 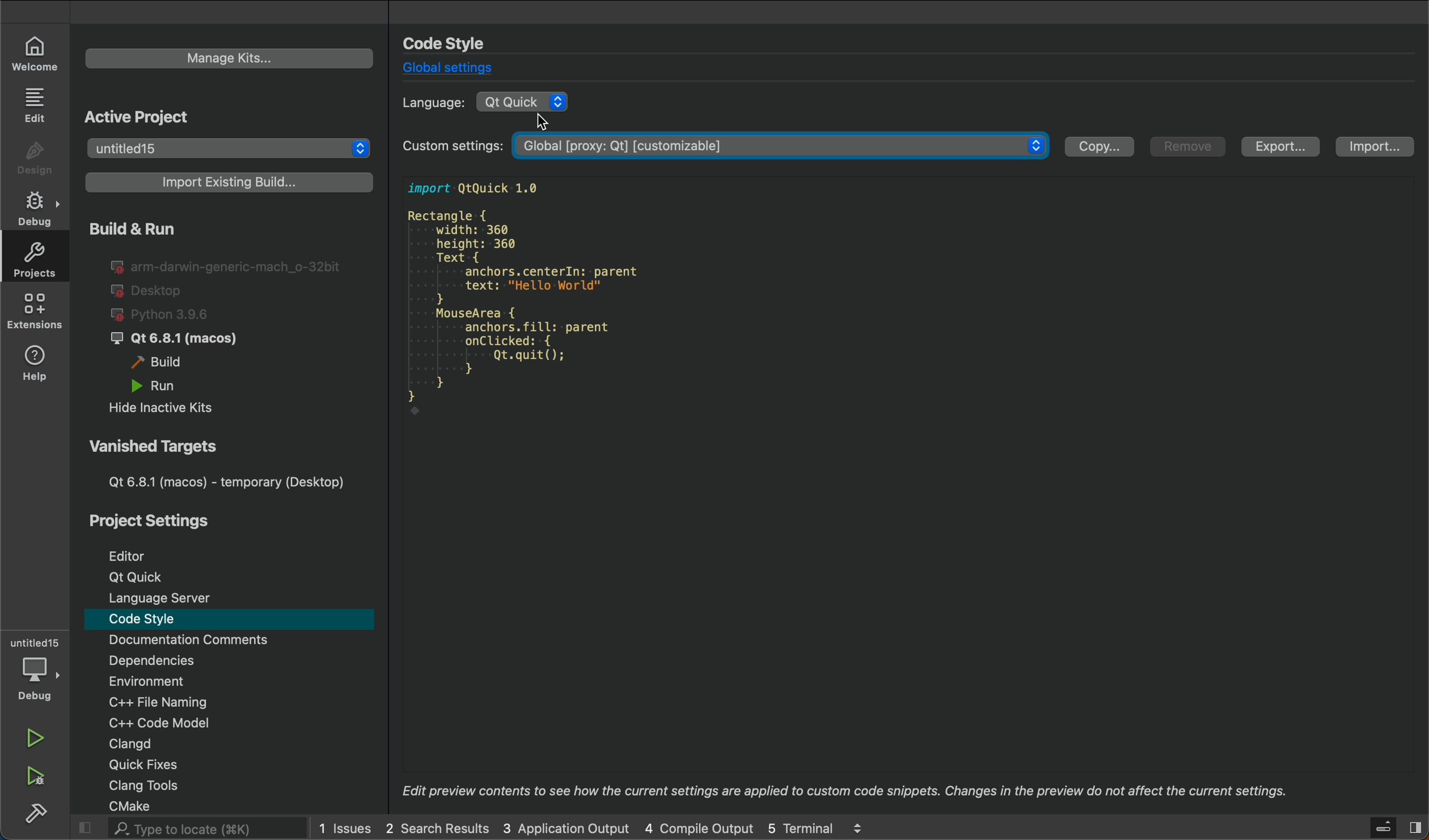 What do you see at coordinates (40, 53) in the screenshot?
I see `welcome` at bounding box center [40, 53].